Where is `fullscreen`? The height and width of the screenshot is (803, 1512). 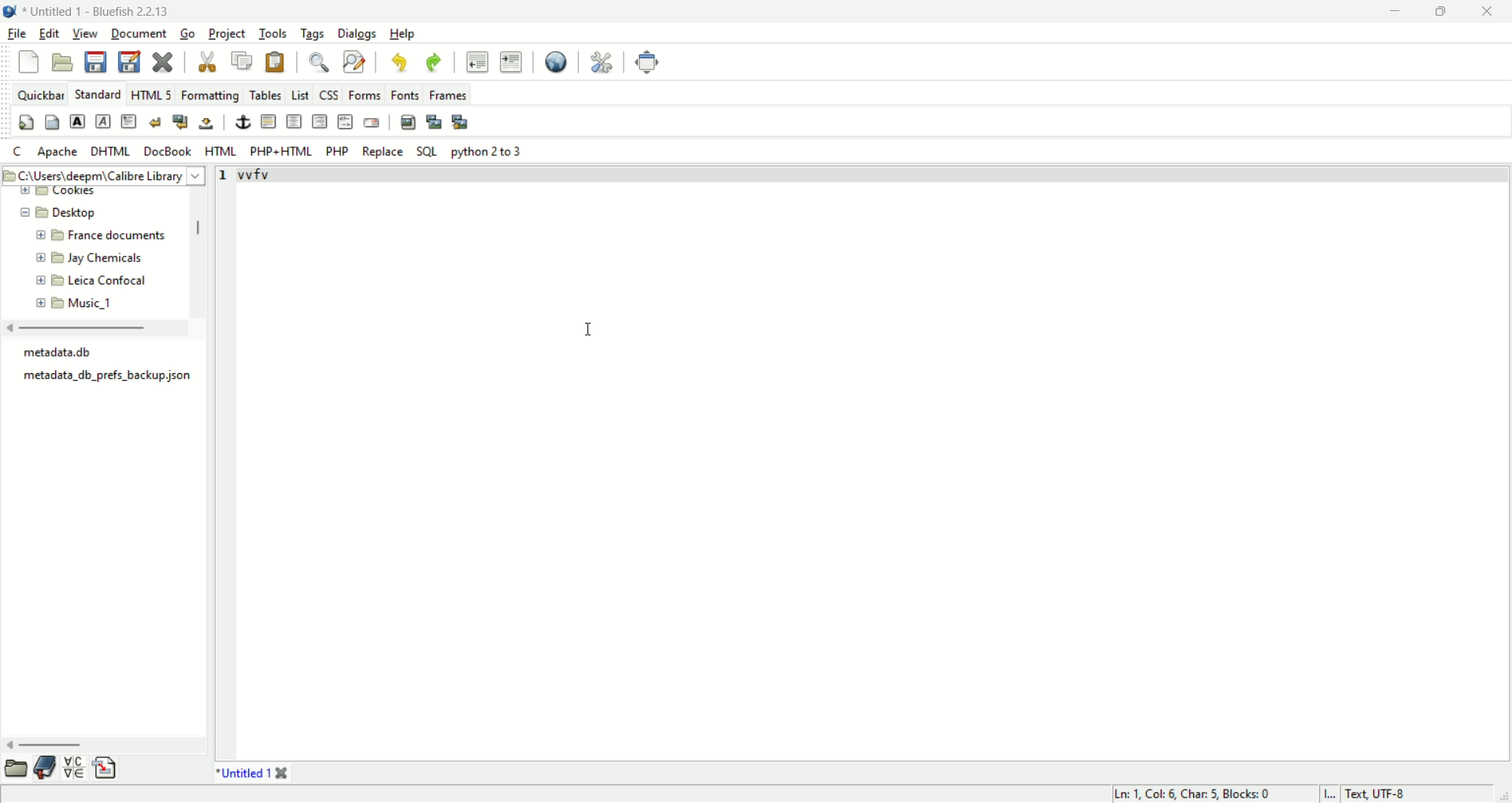 fullscreen is located at coordinates (651, 64).